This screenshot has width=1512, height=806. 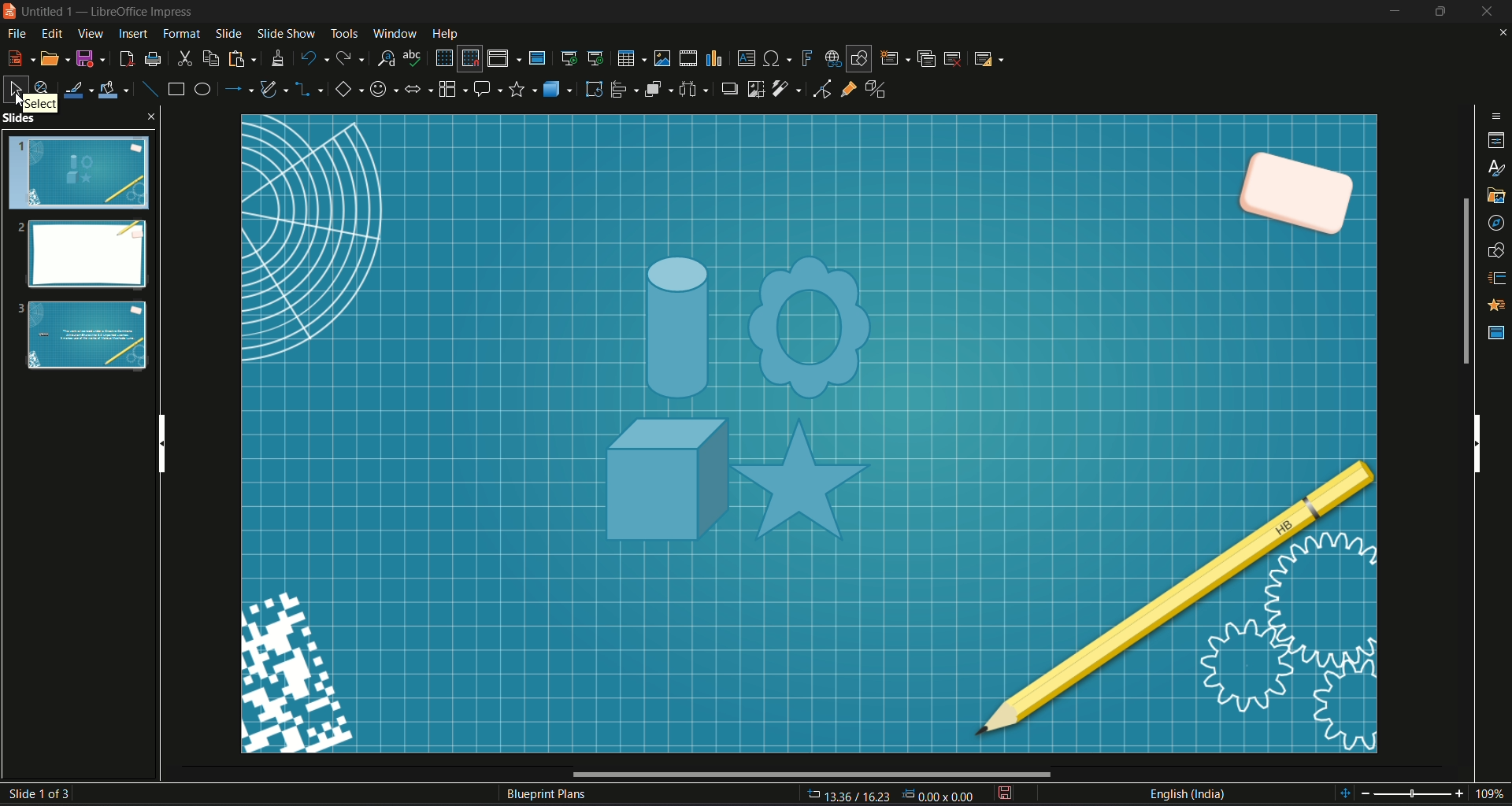 I want to click on Text, so click(x=547, y=796).